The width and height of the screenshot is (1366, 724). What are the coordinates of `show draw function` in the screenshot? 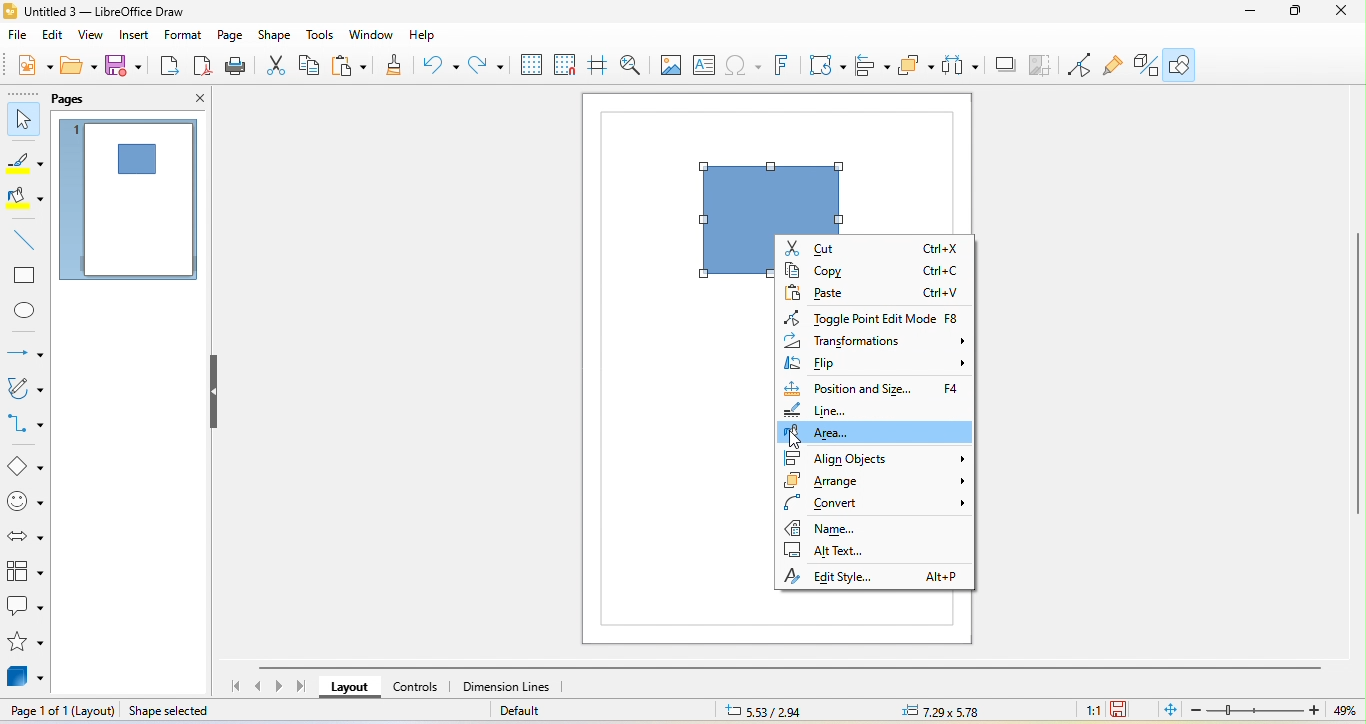 It's located at (1184, 68).